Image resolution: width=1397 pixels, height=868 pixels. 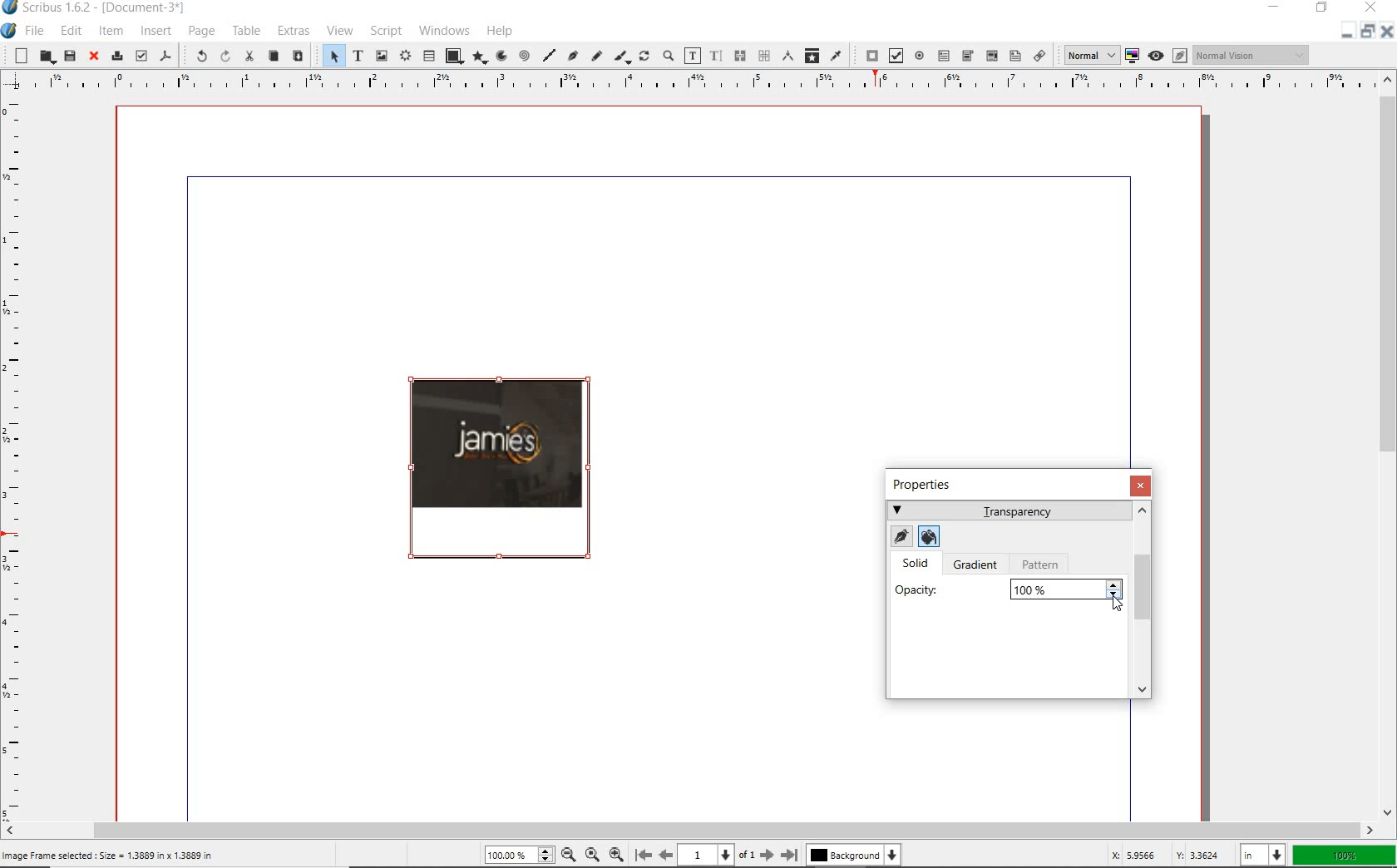 What do you see at coordinates (990, 56) in the screenshot?
I see `pdf combo box` at bounding box center [990, 56].